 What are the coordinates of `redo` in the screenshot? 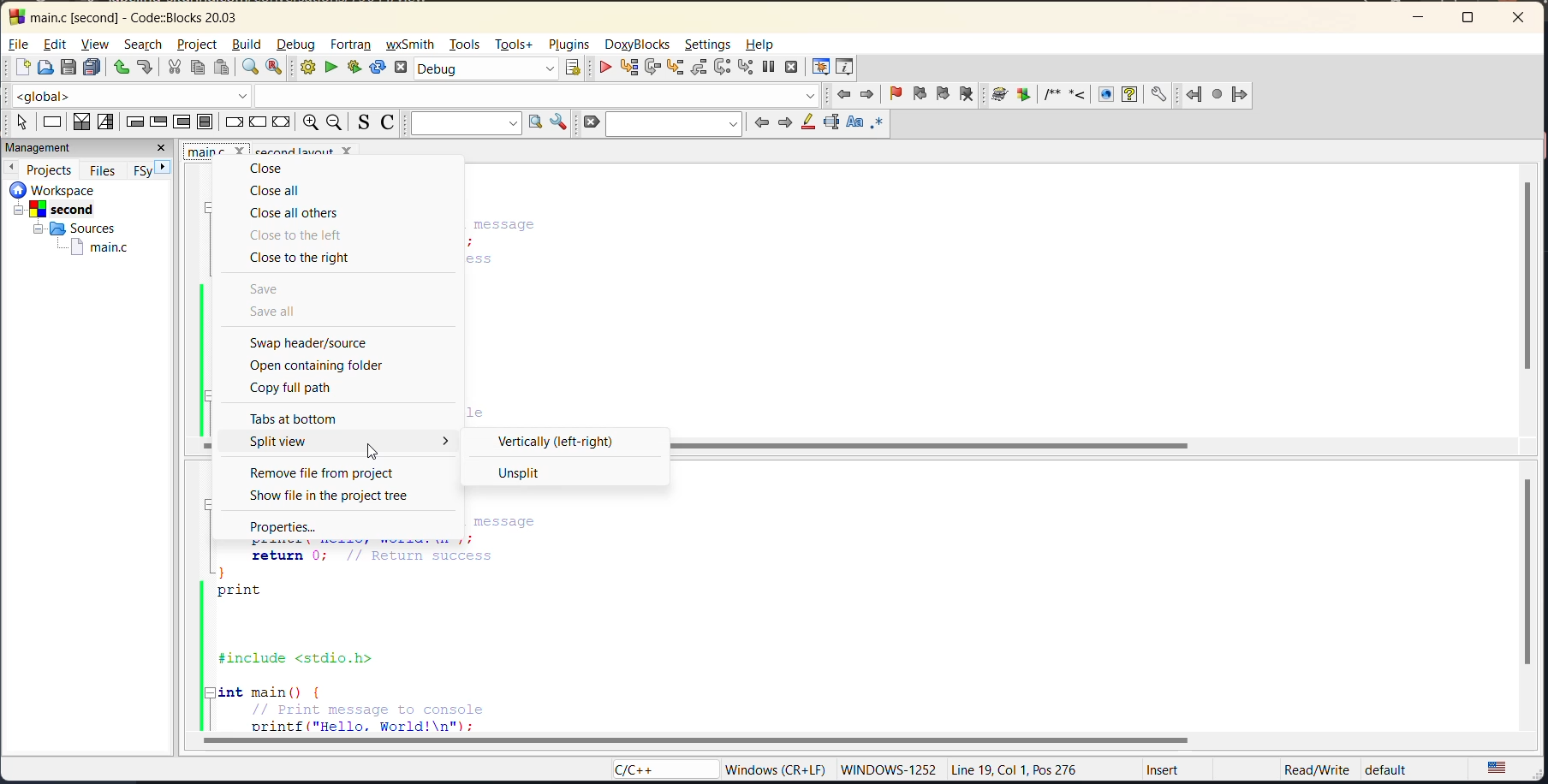 It's located at (146, 68).